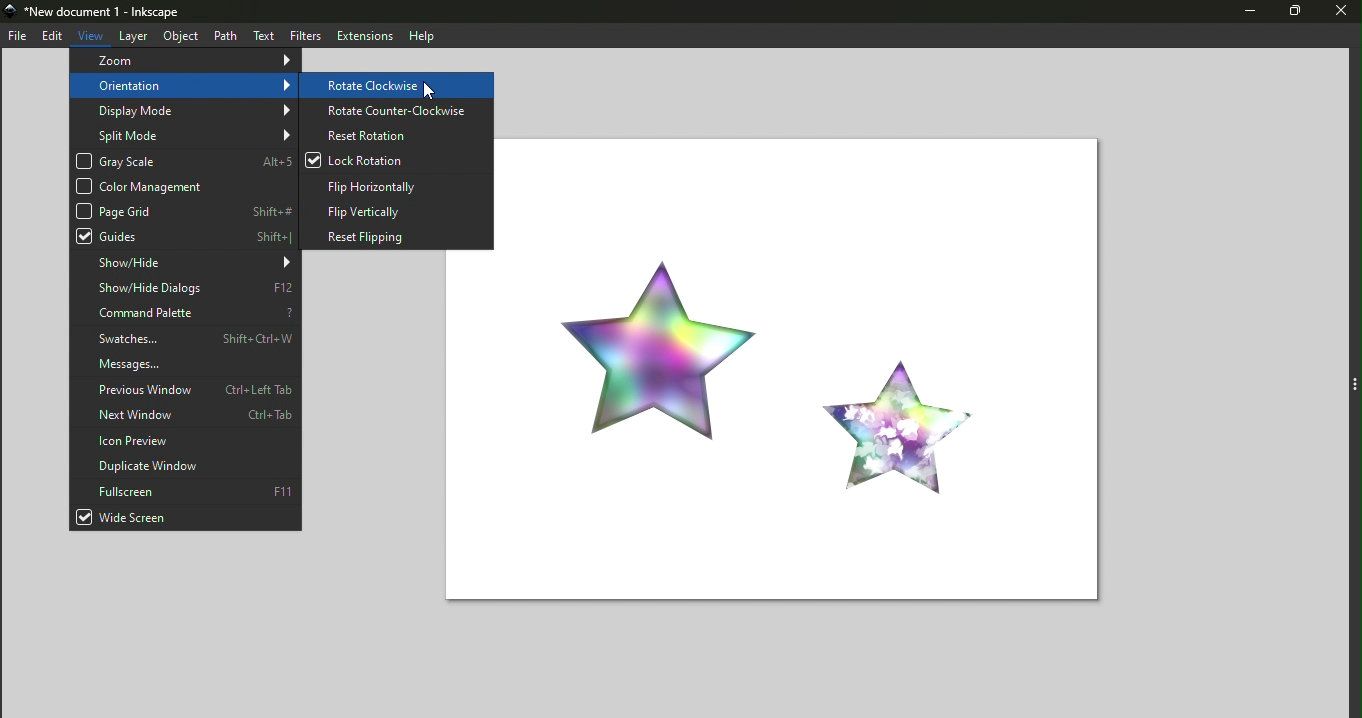  What do you see at coordinates (186, 441) in the screenshot?
I see `Icon preview` at bounding box center [186, 441].